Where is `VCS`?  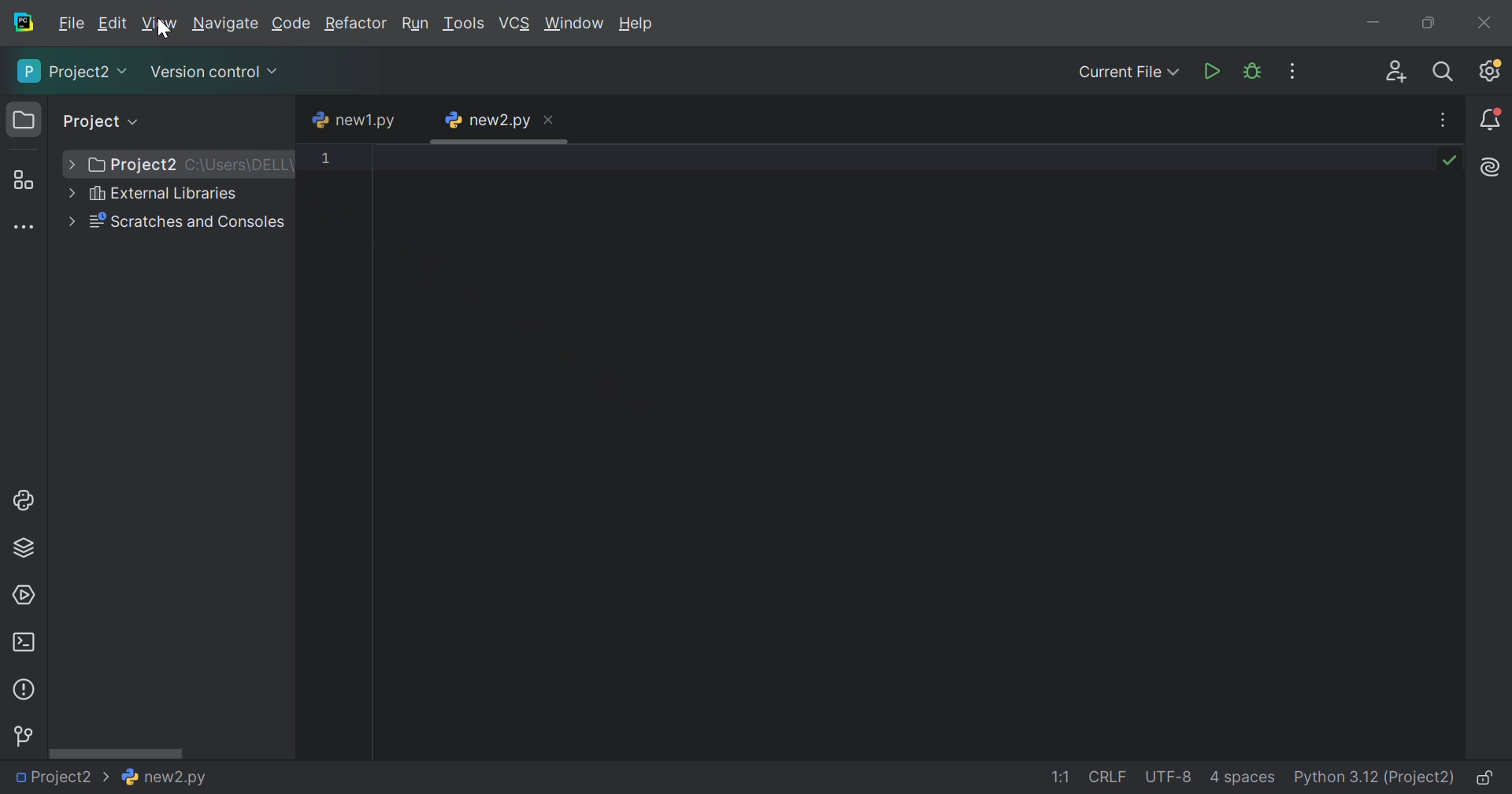
VCS is located at coordinates (516, 21).